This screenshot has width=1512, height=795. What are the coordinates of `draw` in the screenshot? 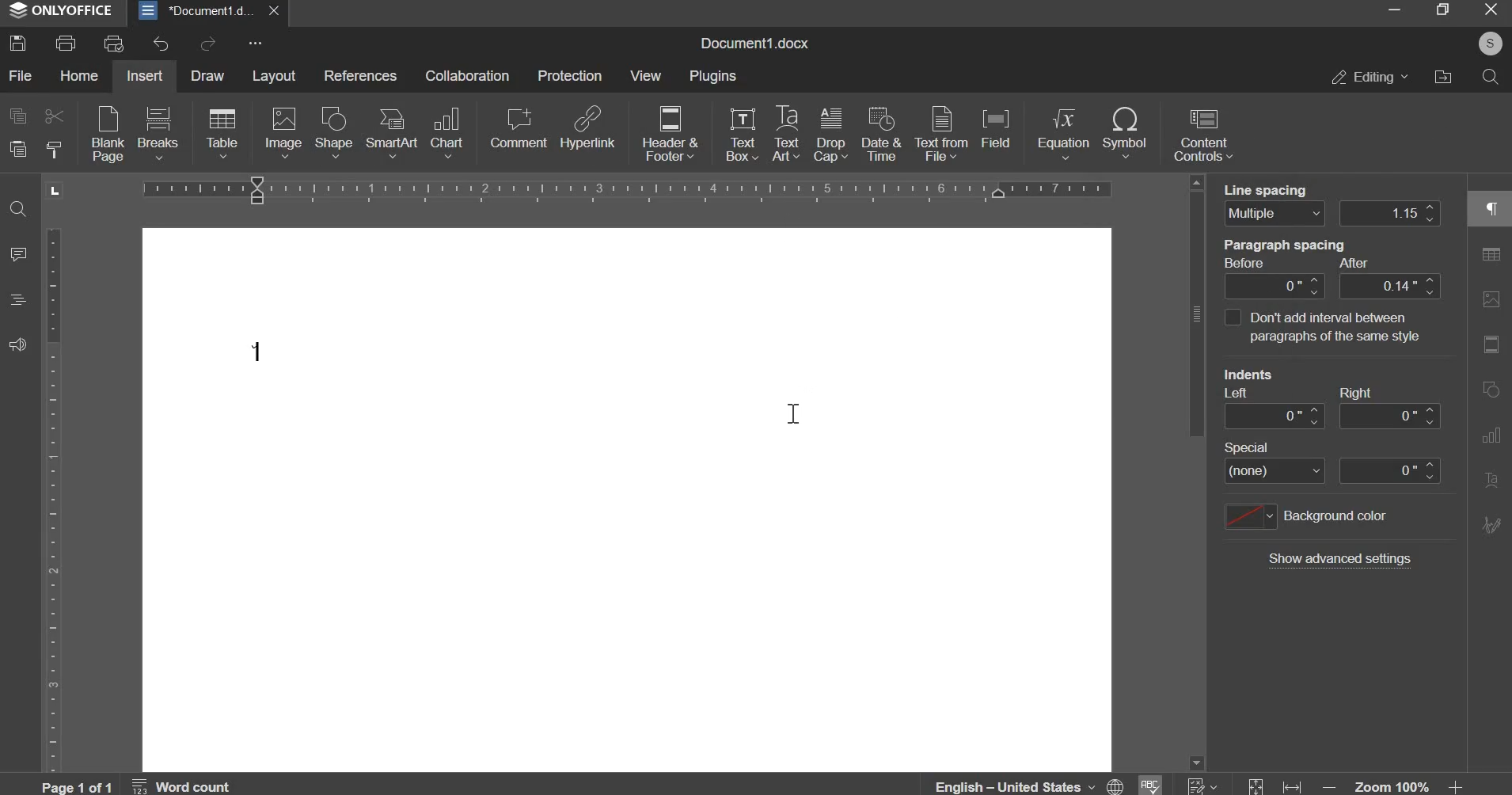 It's located at (207, 75).